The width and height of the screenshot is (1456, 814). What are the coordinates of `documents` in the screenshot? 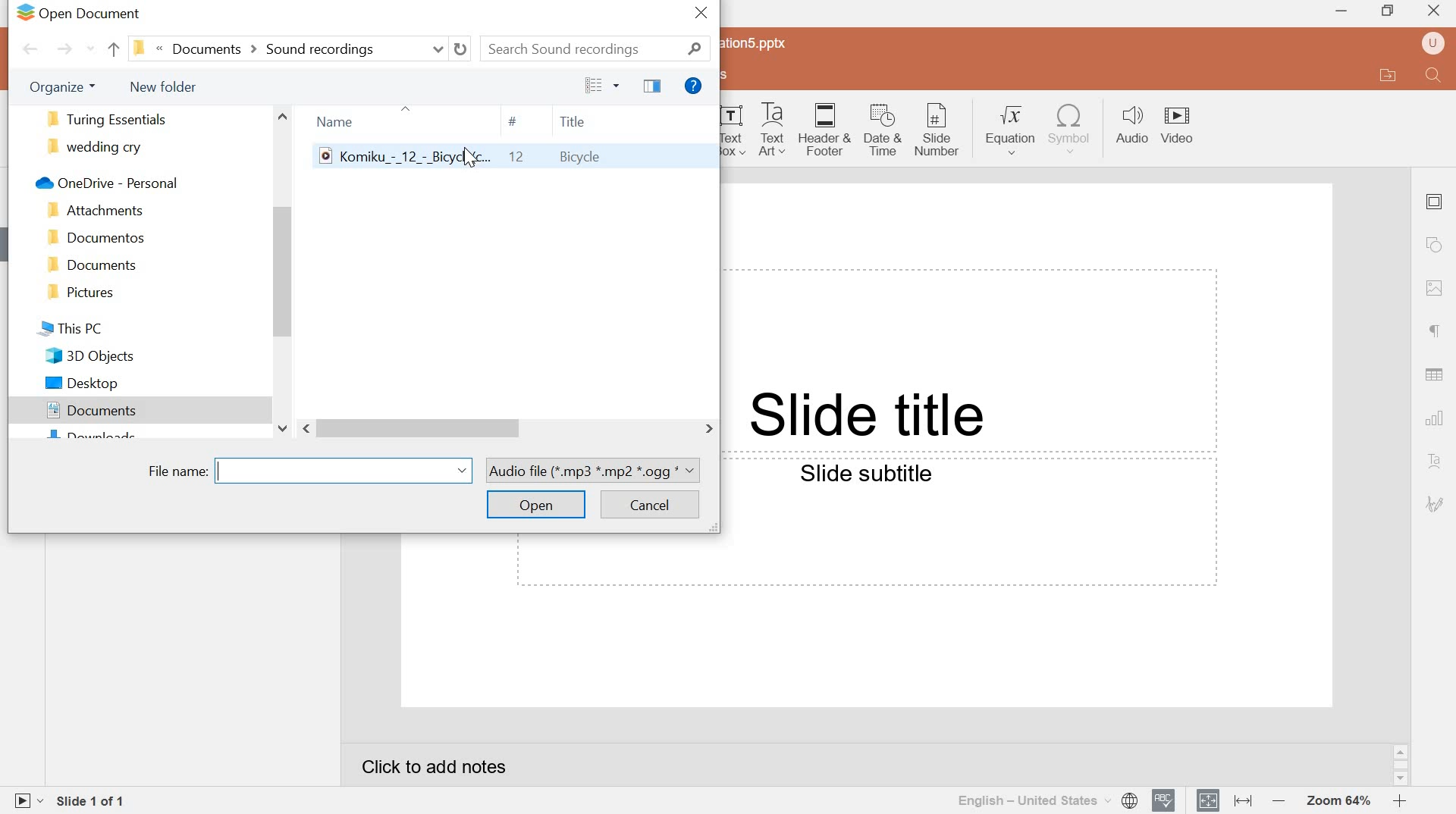 It's located at (88, 411).